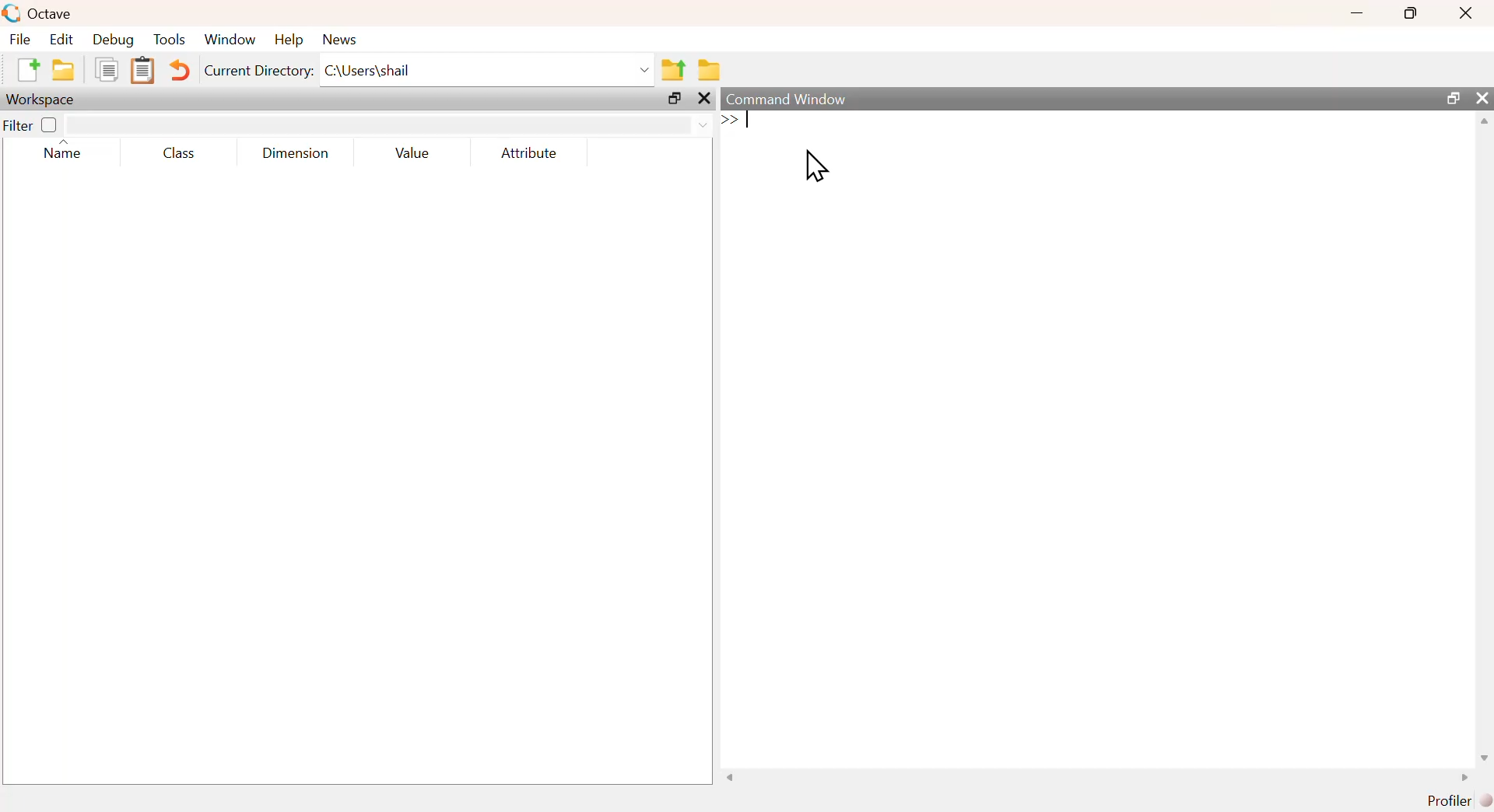 The height and width of the screenshot is (812, 1494). What do you see at coordinates (105, 72) in the screenshot?
I see `copy` at bounding box center [105, 72].